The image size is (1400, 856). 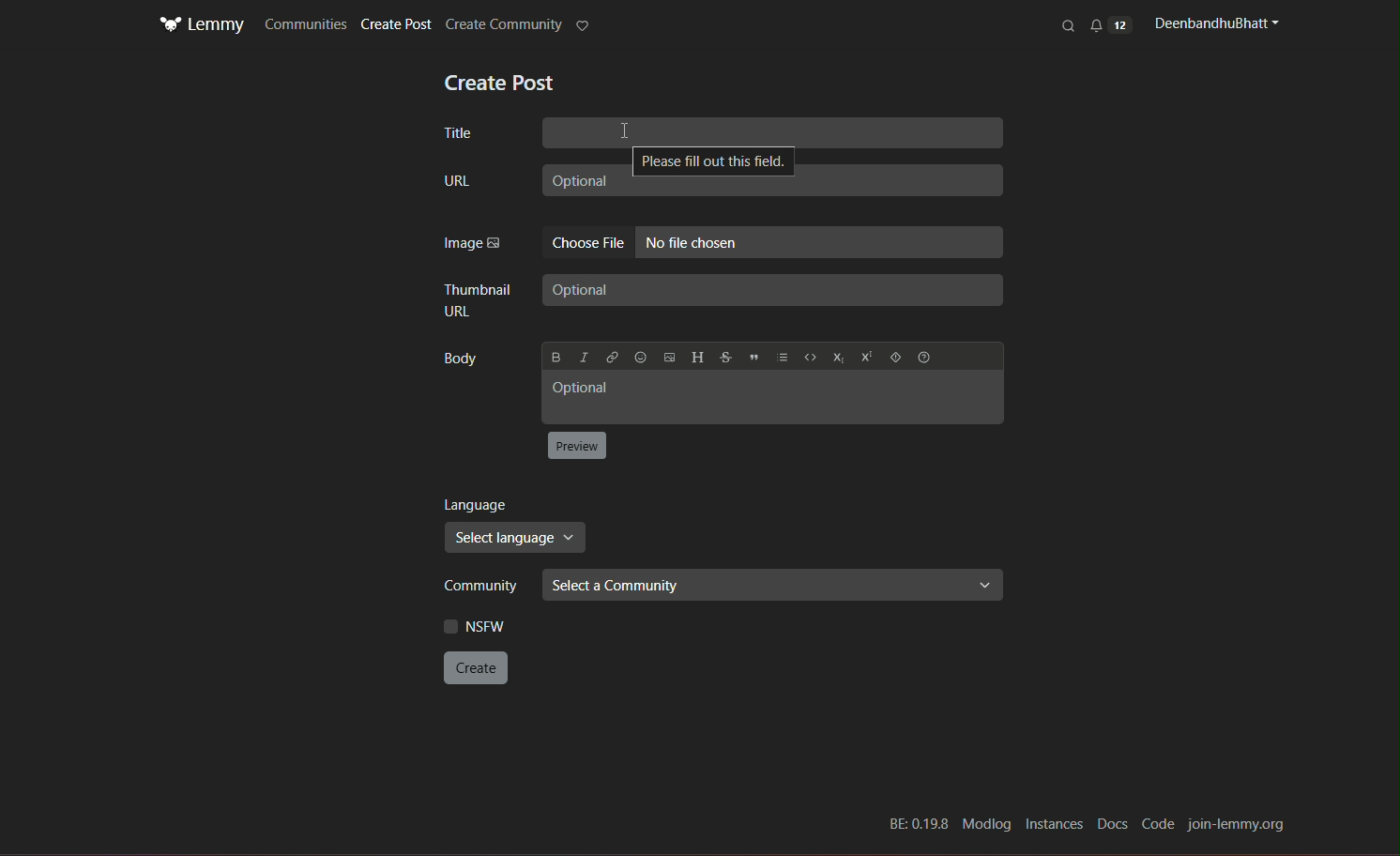 I want to click on Optional, so click(x=775, y=398).